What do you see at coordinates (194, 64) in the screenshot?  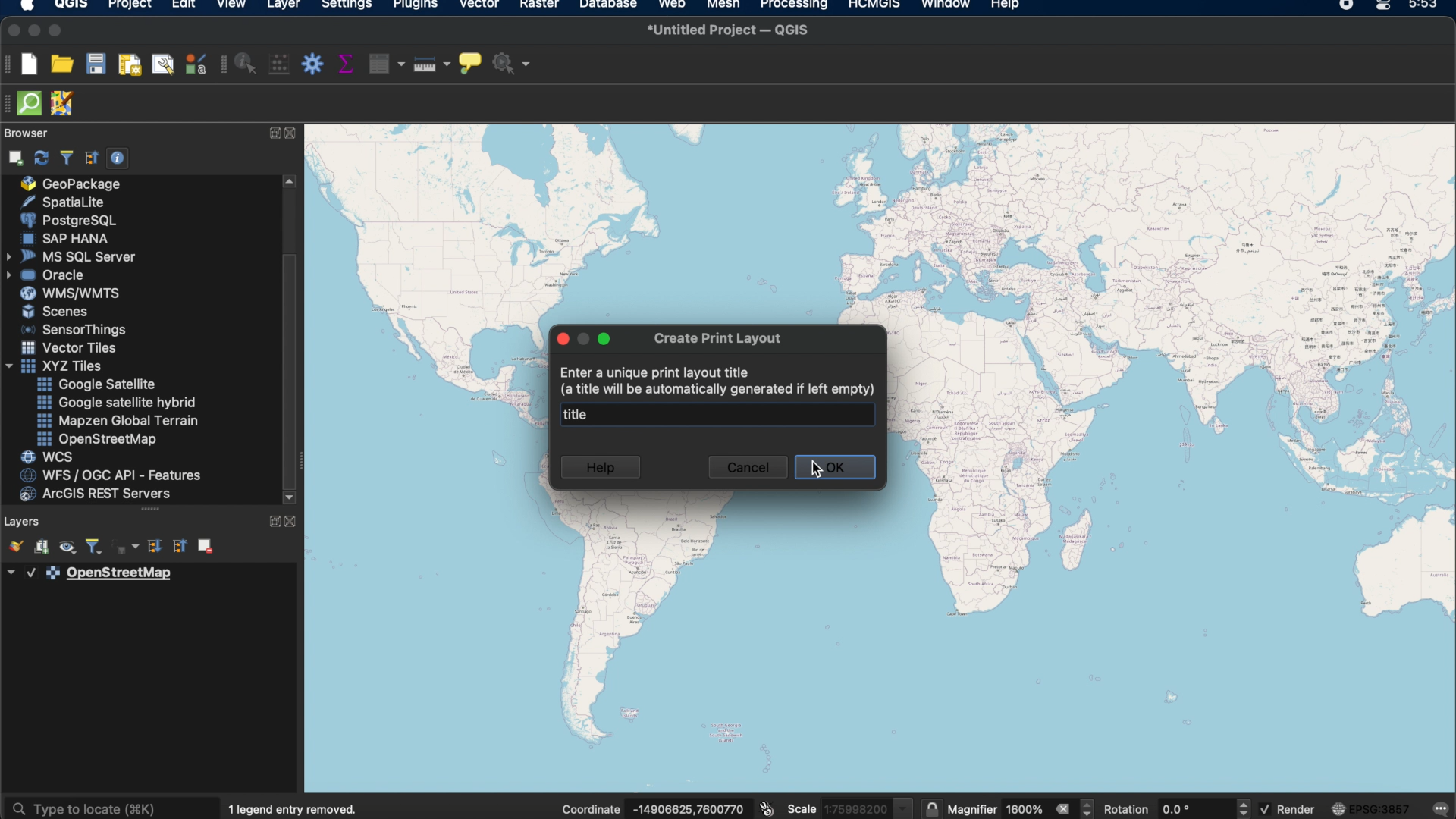 I see `style manager` at bounding box center [194, 64].